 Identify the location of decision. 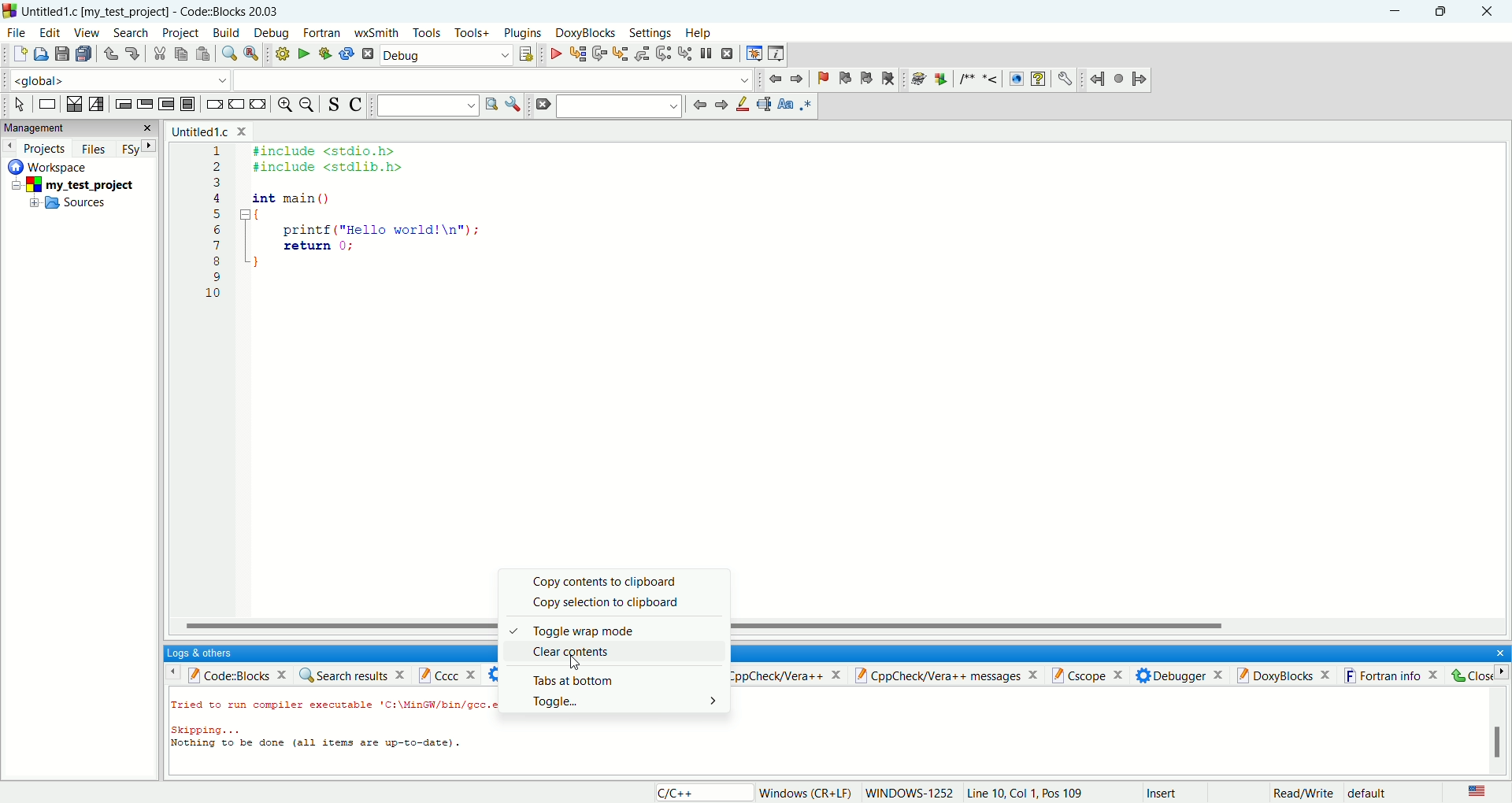
(75, 103).